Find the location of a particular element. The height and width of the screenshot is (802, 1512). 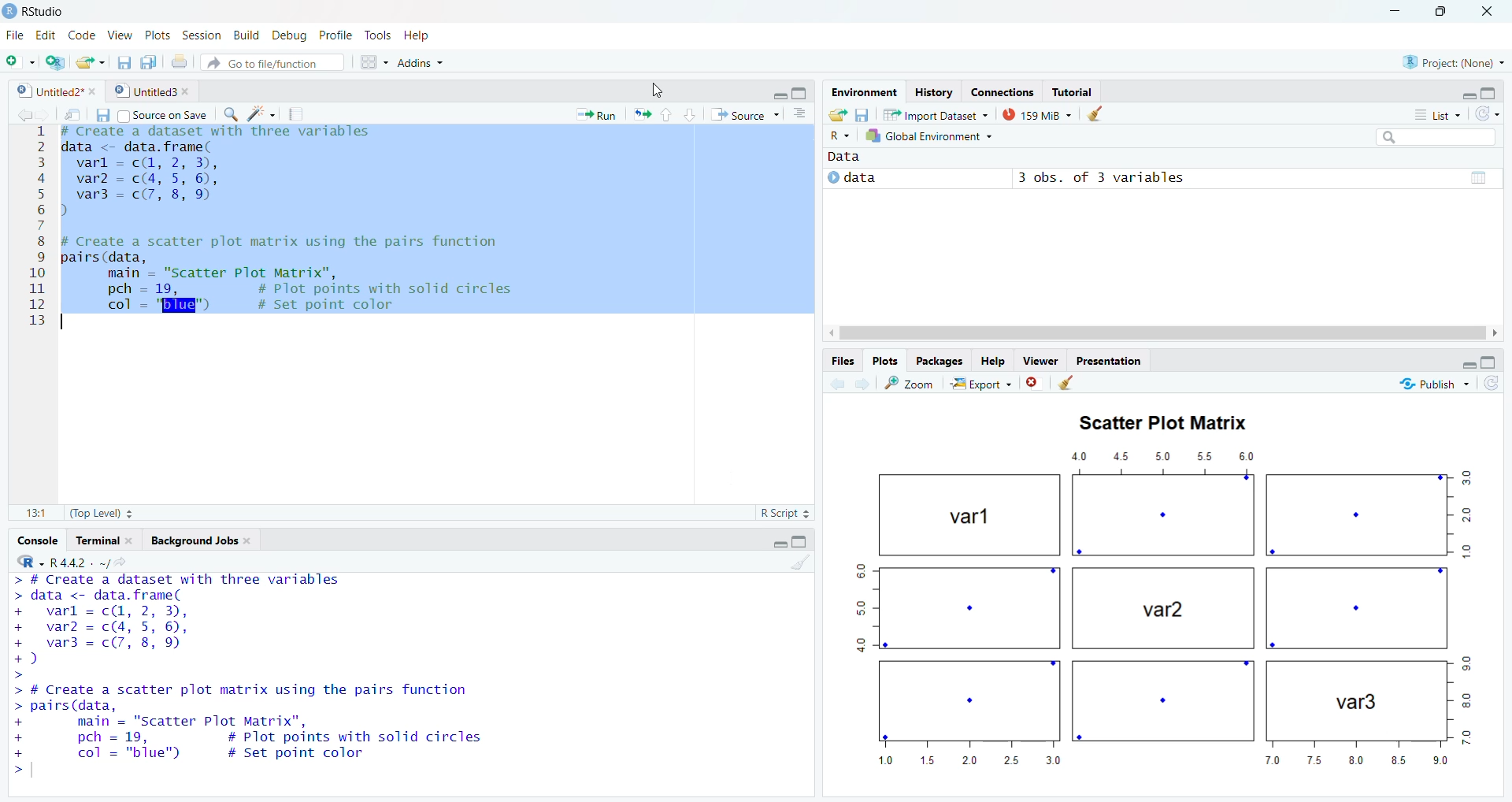

Help is located at coordinates (433, 35).